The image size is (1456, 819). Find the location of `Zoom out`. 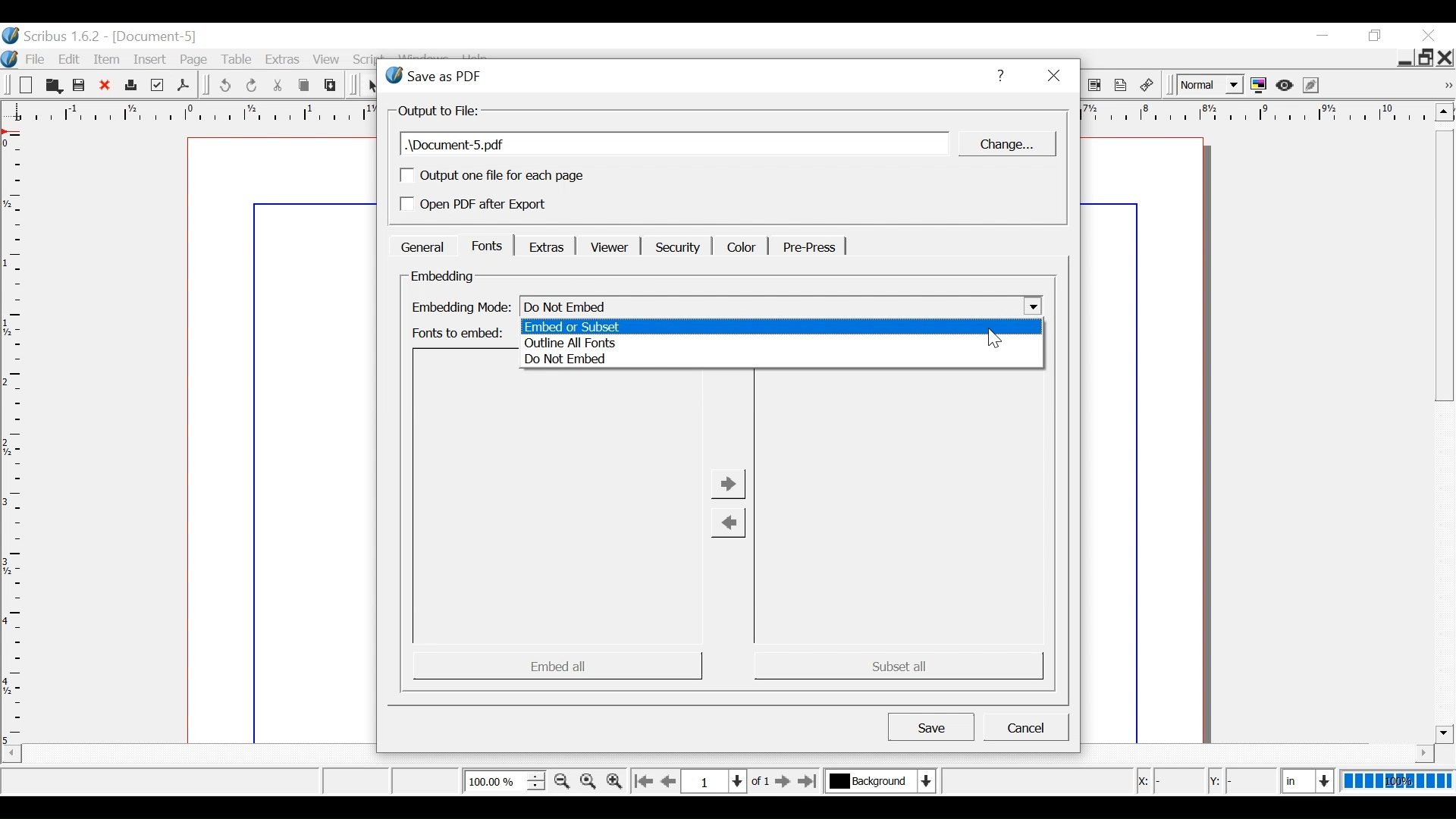

Zoom out is located at coordinates (562, 781).